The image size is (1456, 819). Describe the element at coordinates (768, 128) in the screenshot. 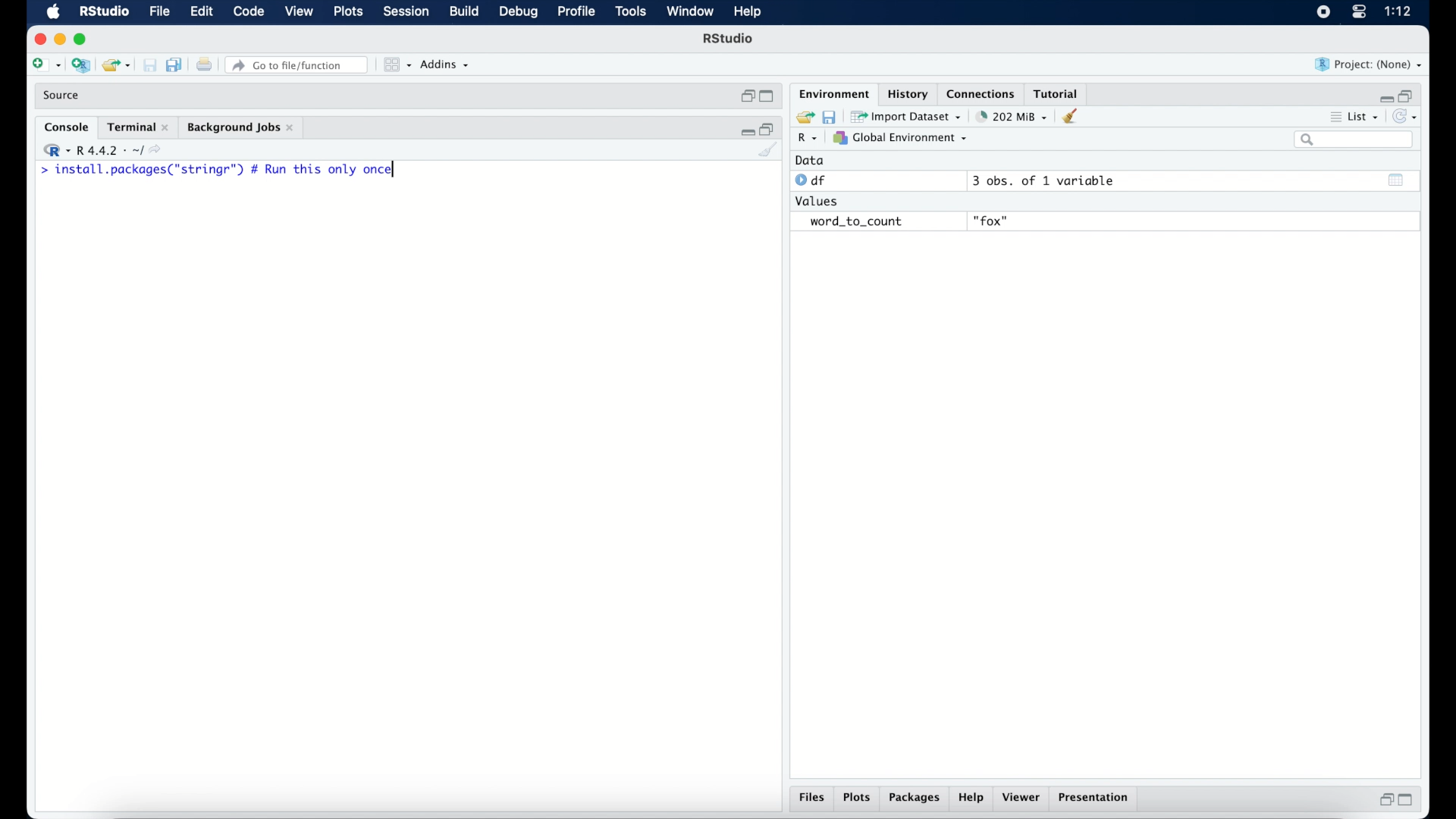

I see `restore down` at that location.